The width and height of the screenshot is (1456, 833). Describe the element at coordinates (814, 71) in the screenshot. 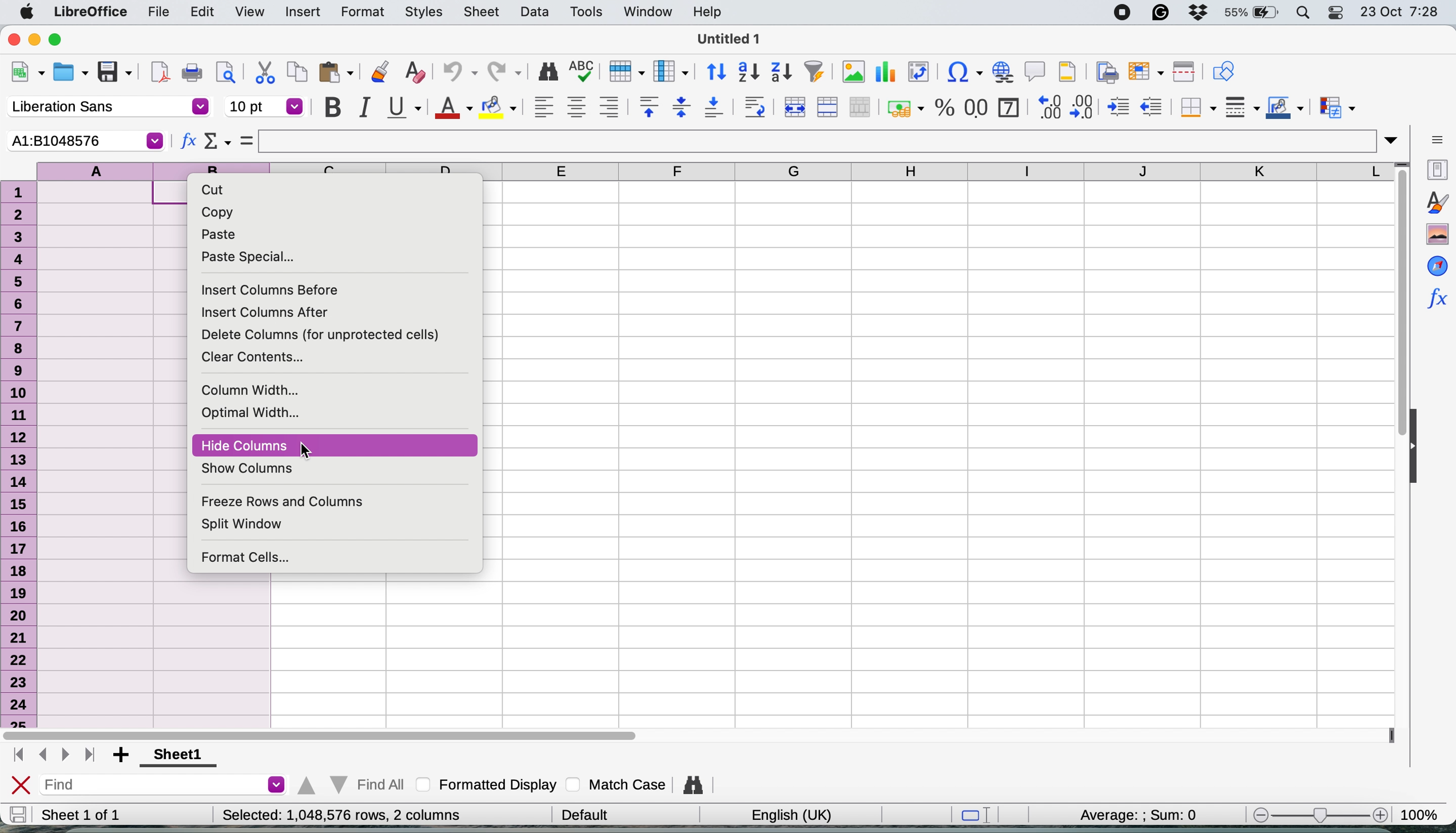

I see `autofilter` at that location.